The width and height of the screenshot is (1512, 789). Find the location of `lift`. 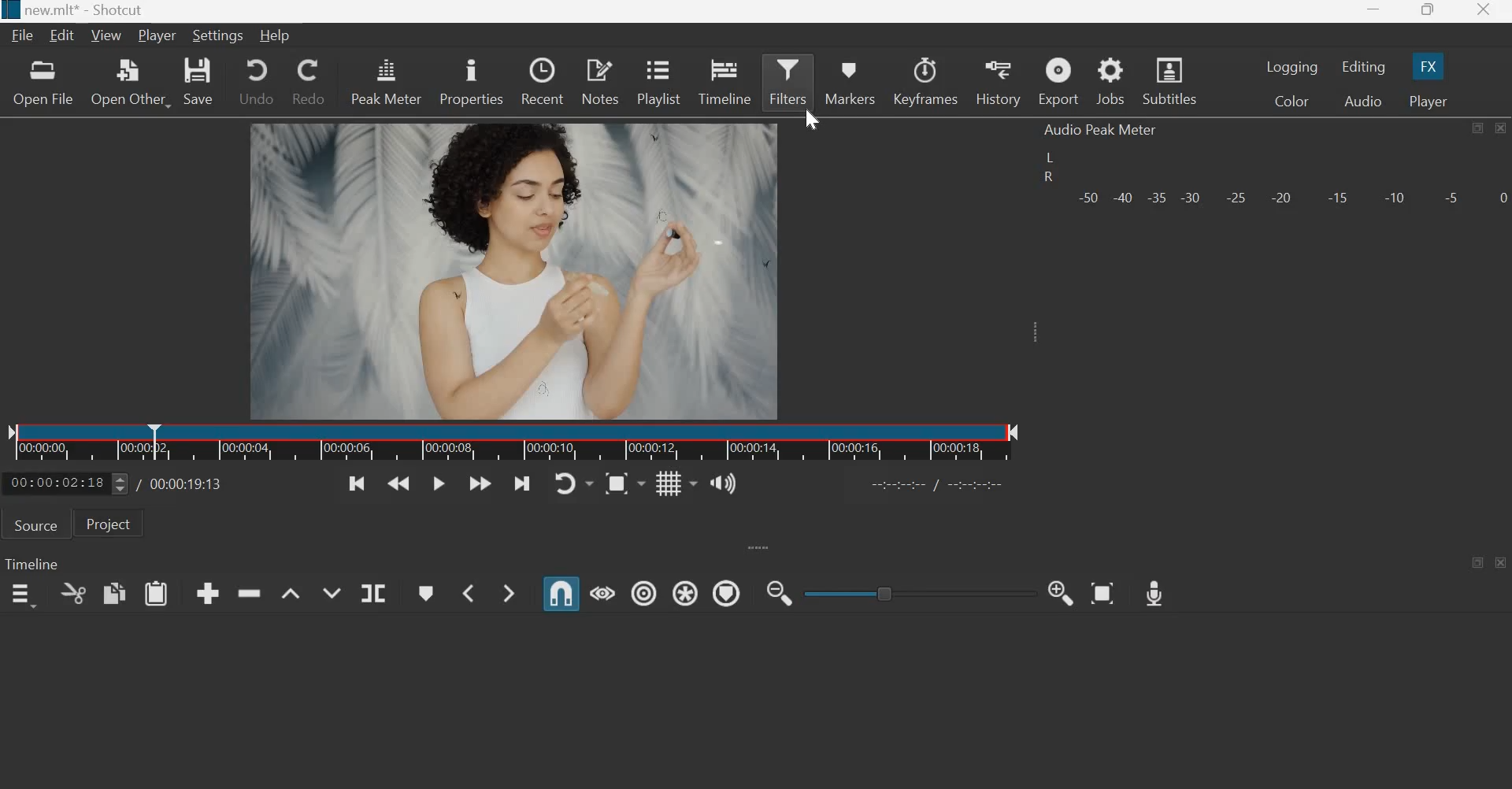

lift is located at coordinates (291, 592).